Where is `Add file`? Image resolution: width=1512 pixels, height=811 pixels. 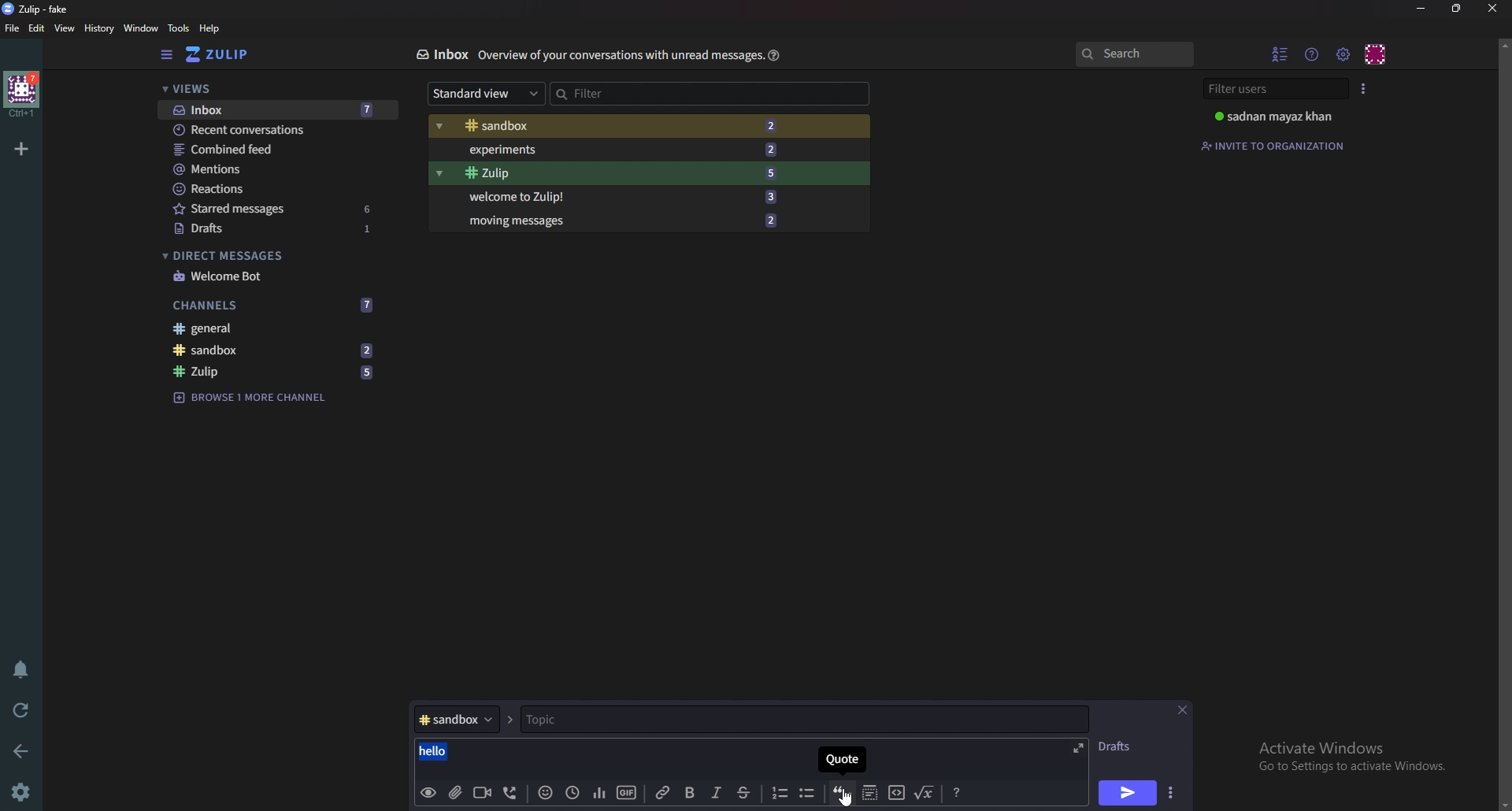 Add file is located at coordinates (455, 791).